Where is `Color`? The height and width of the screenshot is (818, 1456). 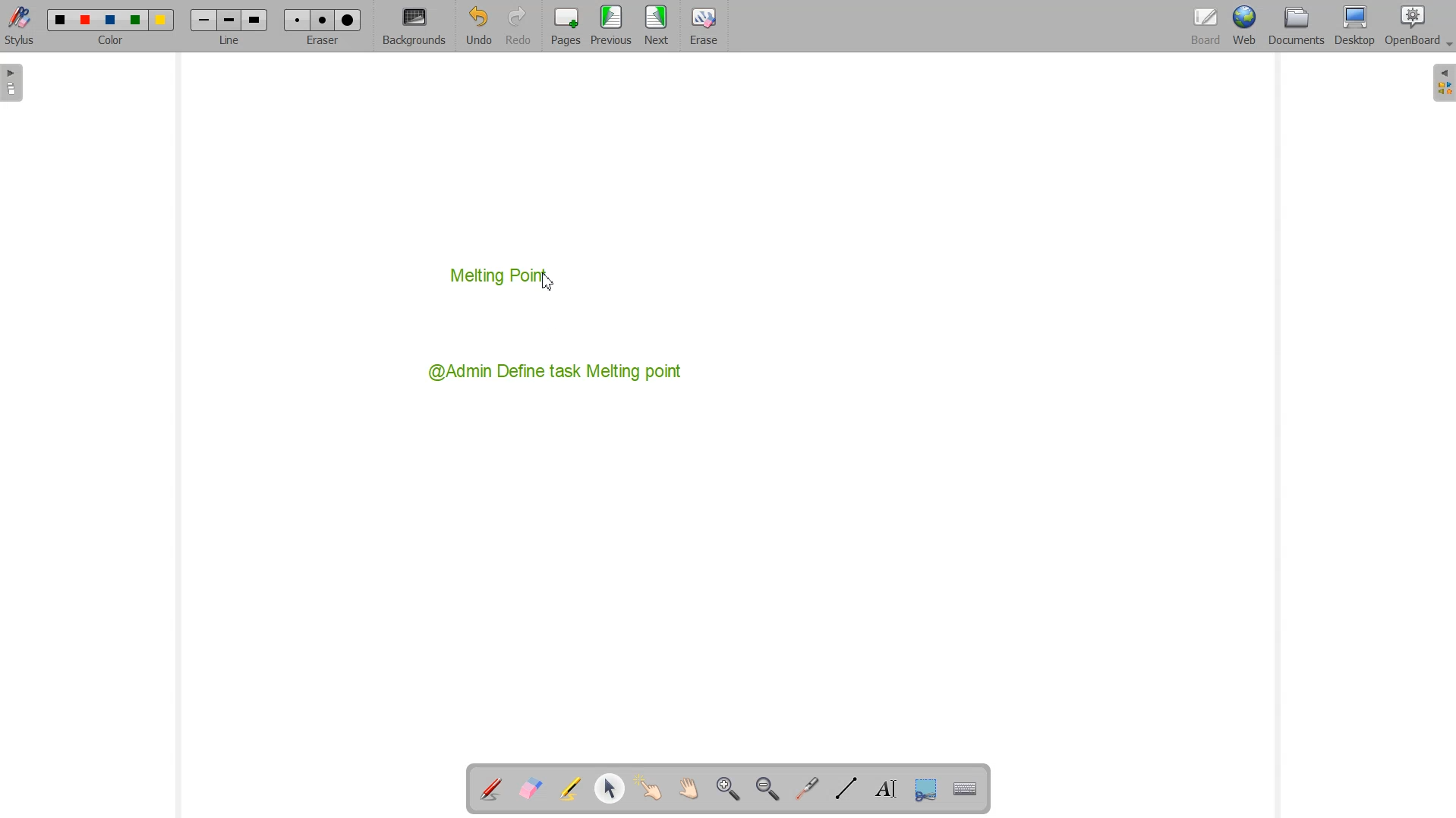 Color is located at coordinates (113, 27).